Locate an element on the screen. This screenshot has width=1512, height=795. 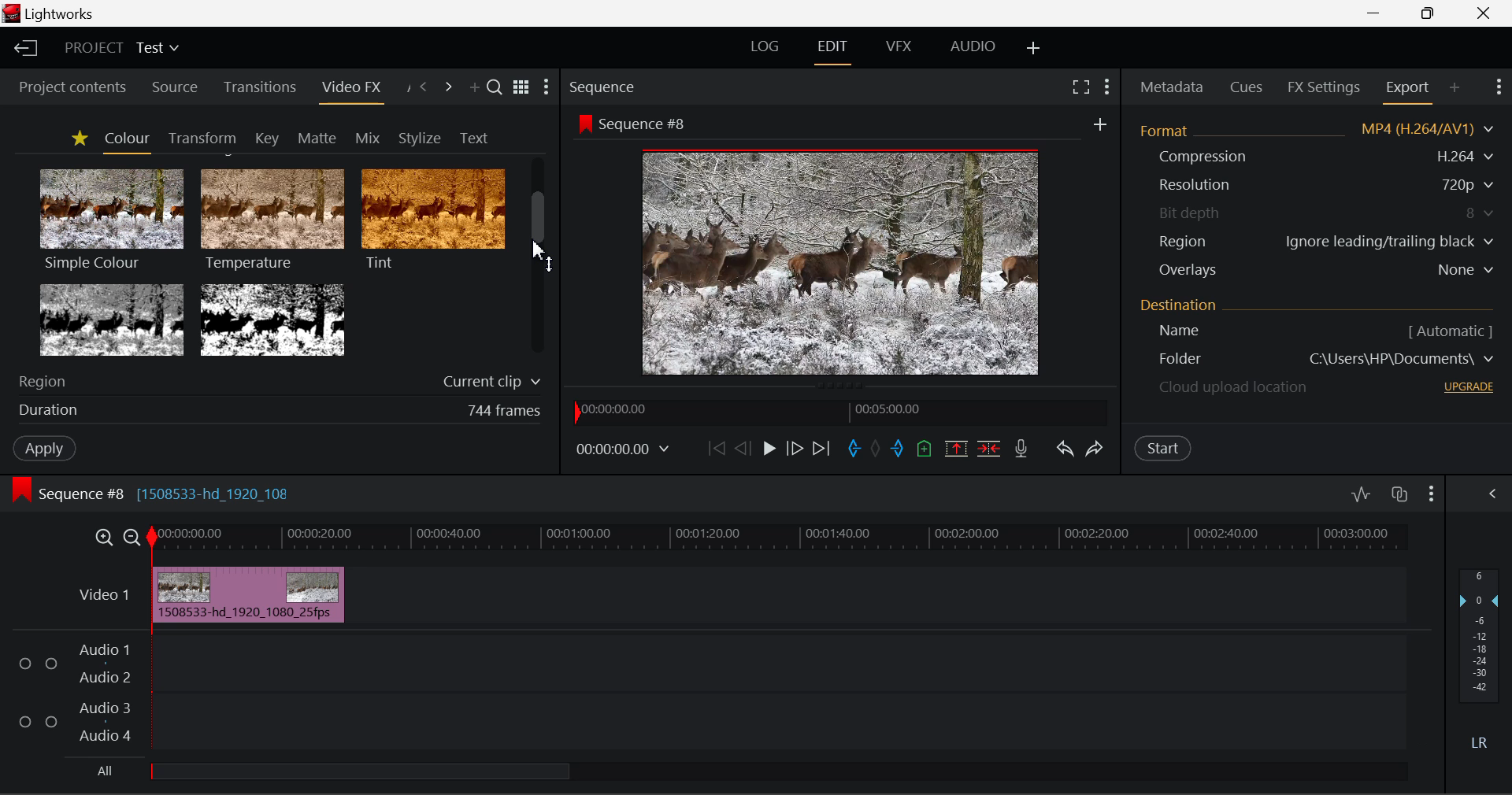
duration is located at coordinates (44, 411).